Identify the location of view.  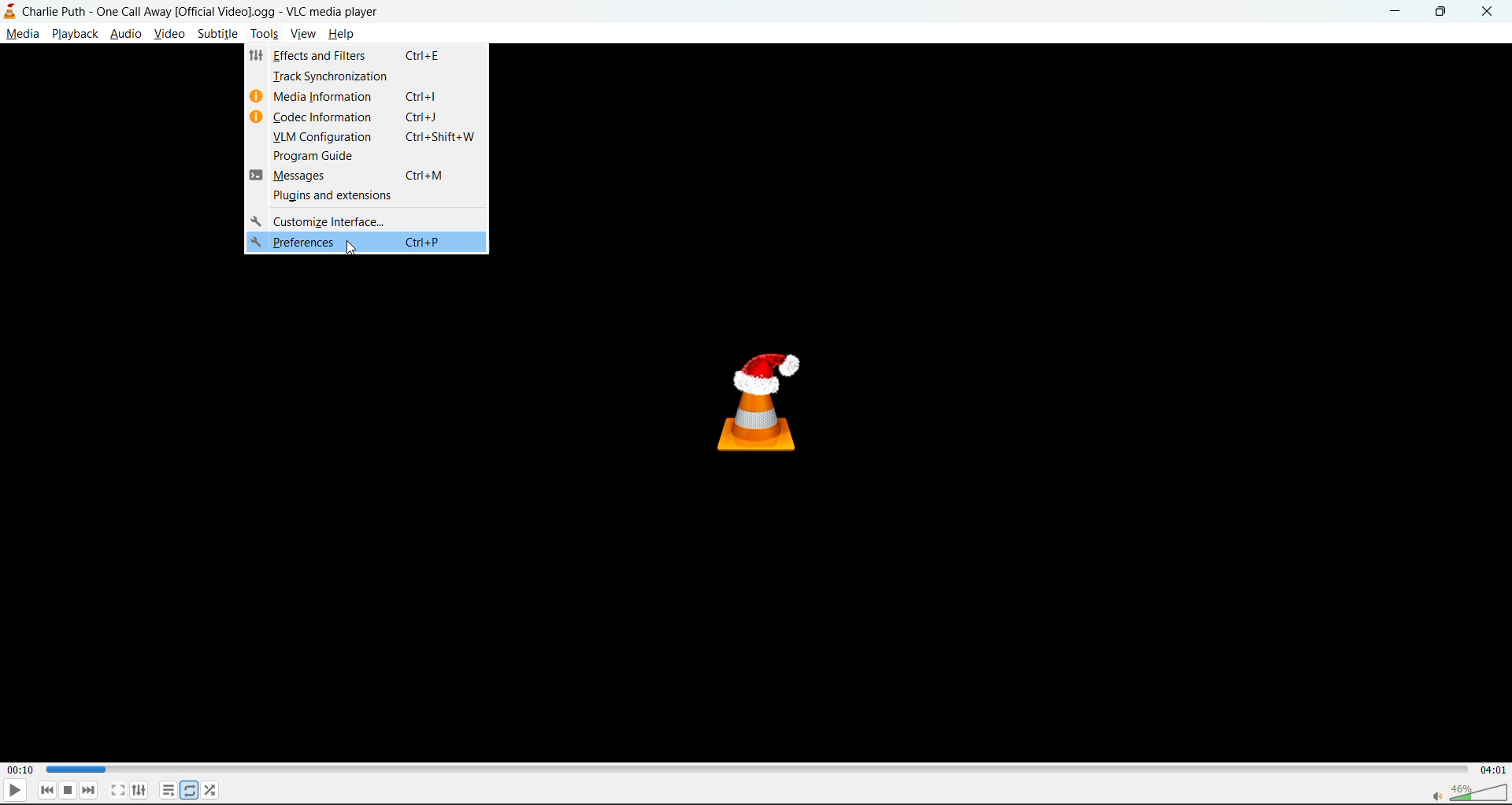
(302, 34).